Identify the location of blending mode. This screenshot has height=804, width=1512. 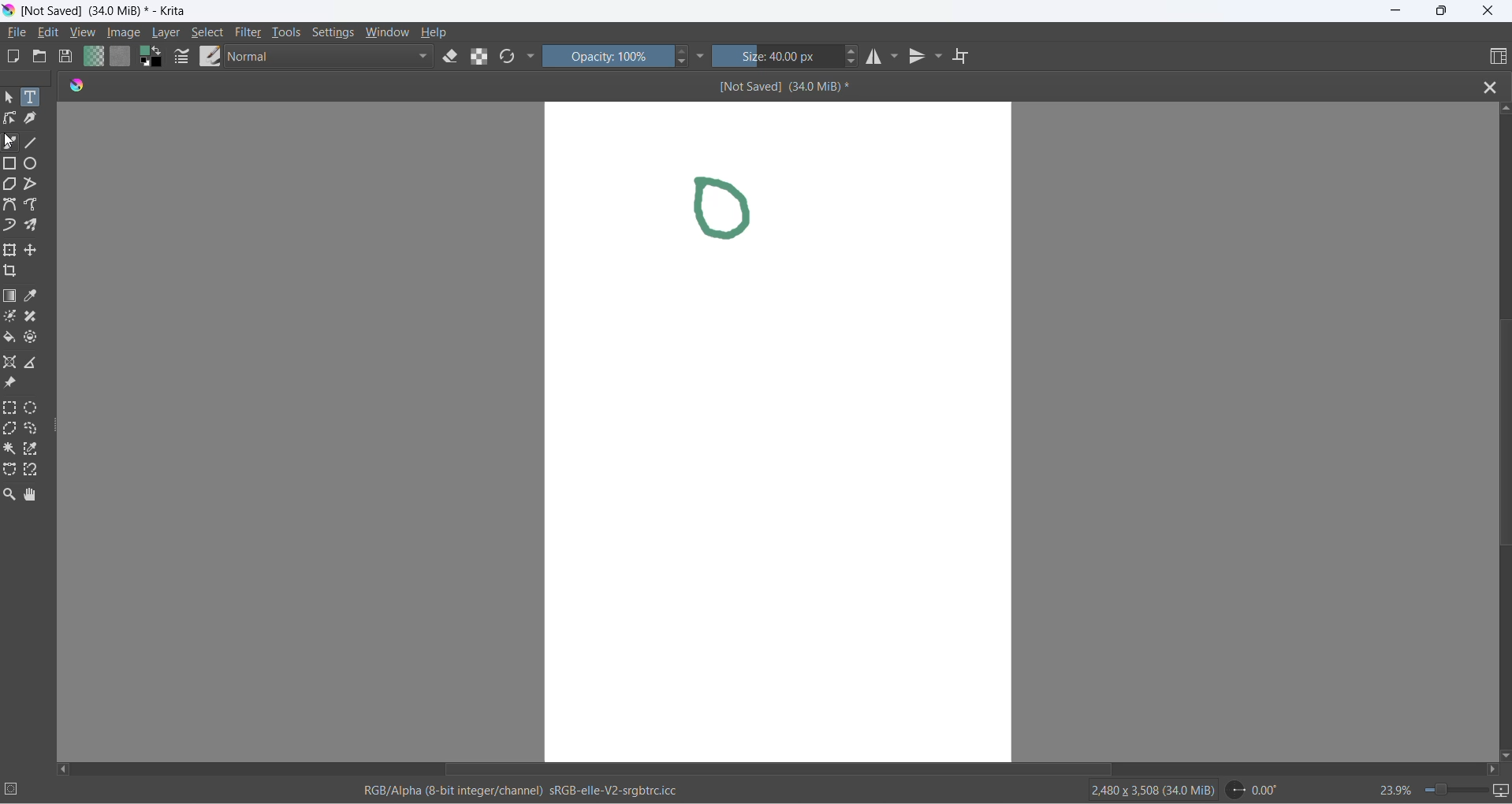
(333, 58).